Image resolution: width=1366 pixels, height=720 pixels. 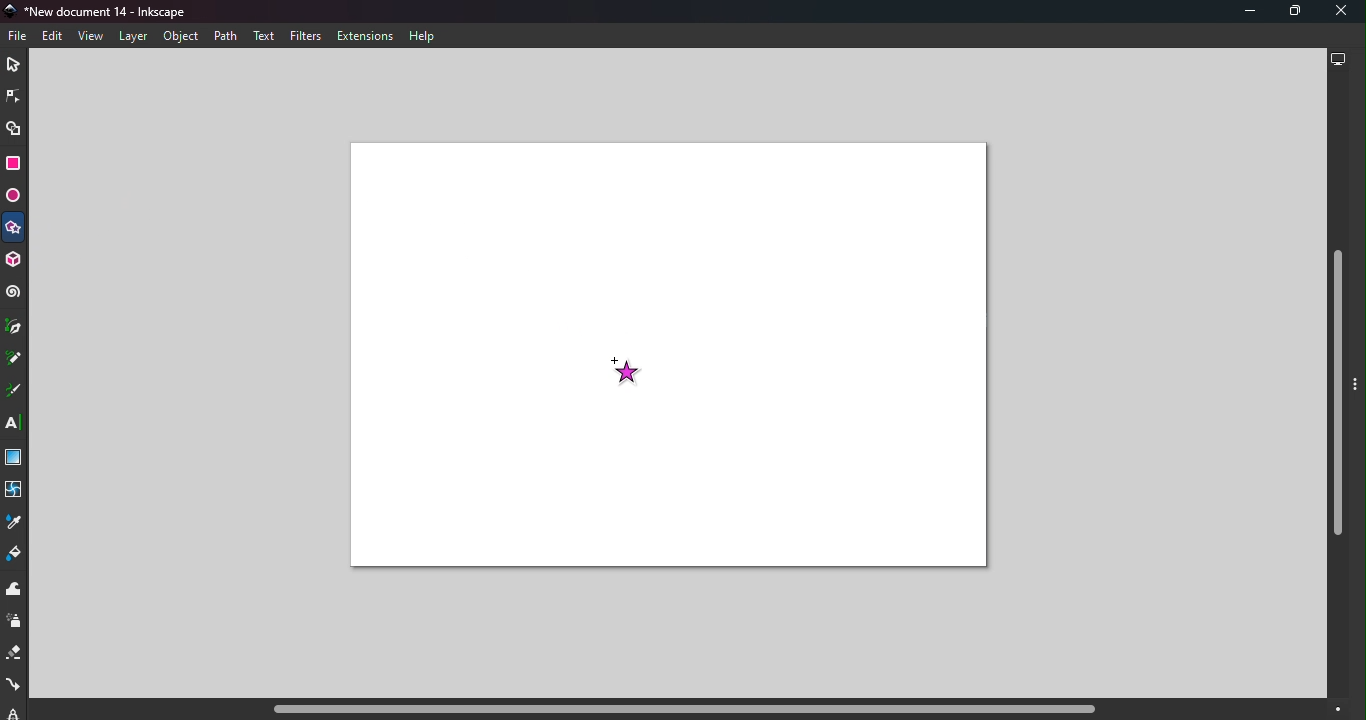 What do you see at coordinates (676, 710) in the screenshot?
I see `Horizontal scroll bar` at bounding box center [676, 710].